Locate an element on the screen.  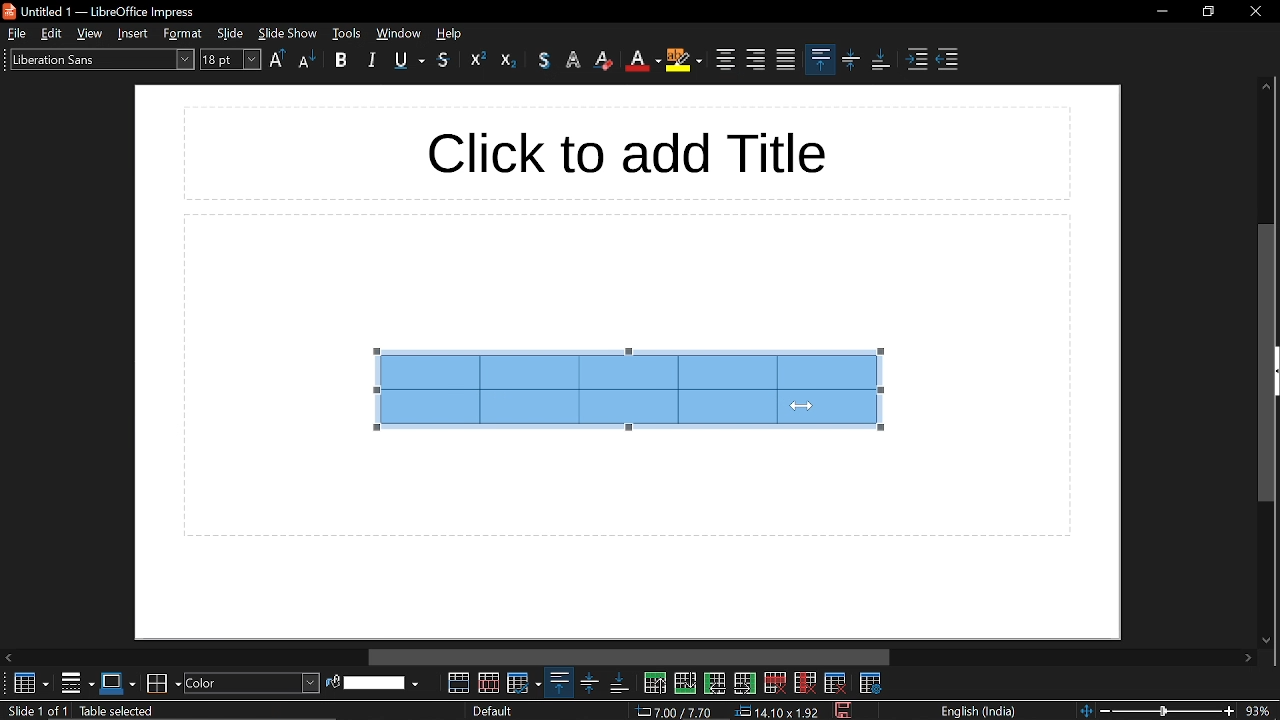
align bottom is located at coordinates (882, 62).